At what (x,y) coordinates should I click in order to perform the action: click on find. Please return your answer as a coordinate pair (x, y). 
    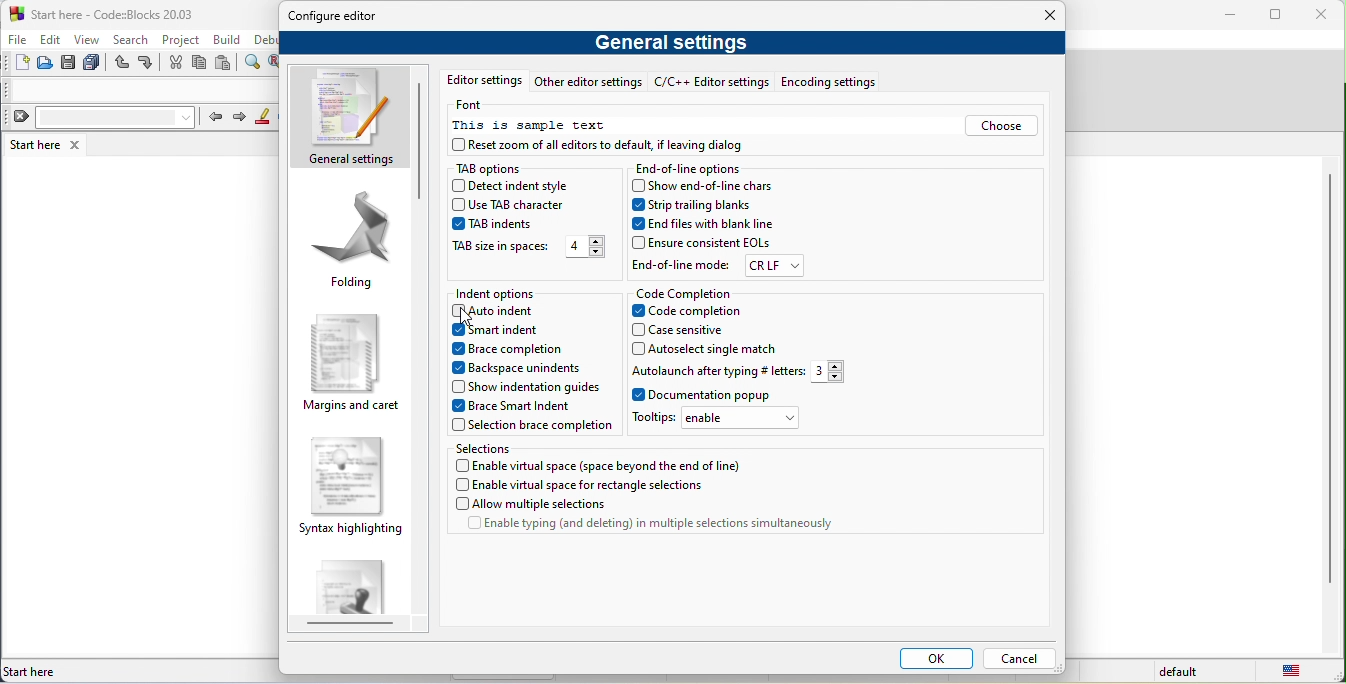
    Looking at the image, I should click on (254, 66).